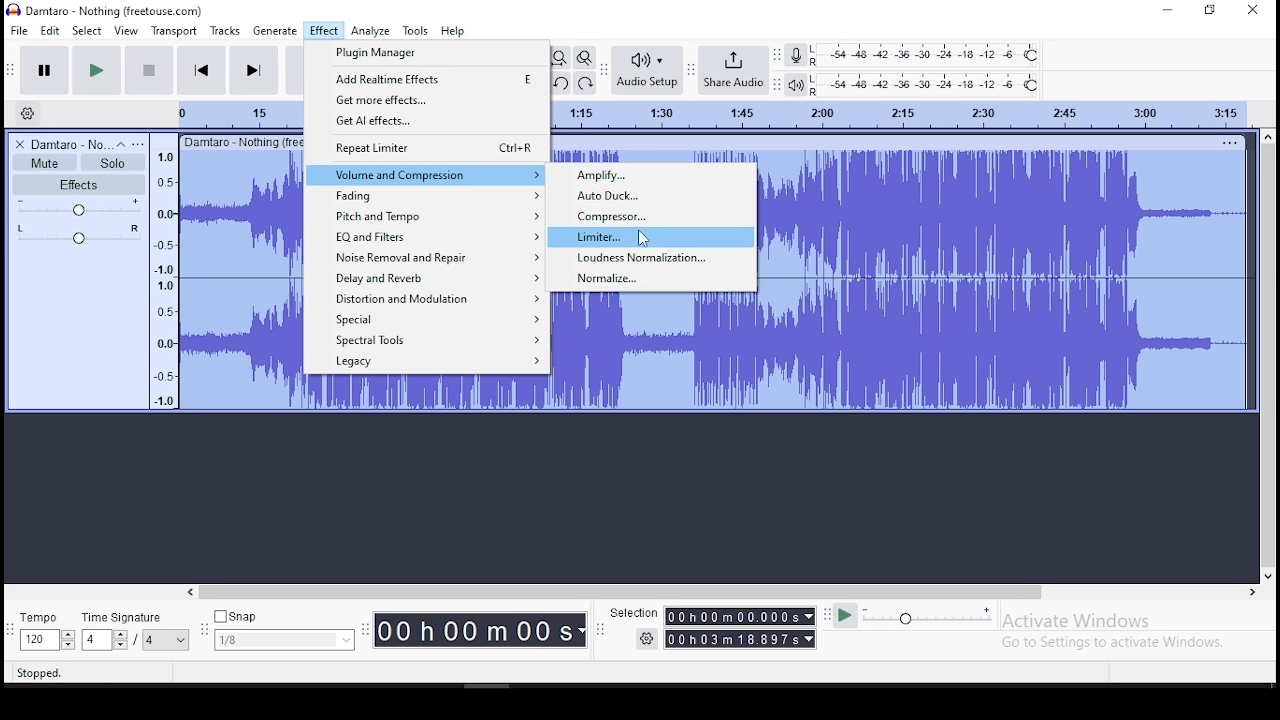  I want to click on click and drag to select audio, so click(255, 674).